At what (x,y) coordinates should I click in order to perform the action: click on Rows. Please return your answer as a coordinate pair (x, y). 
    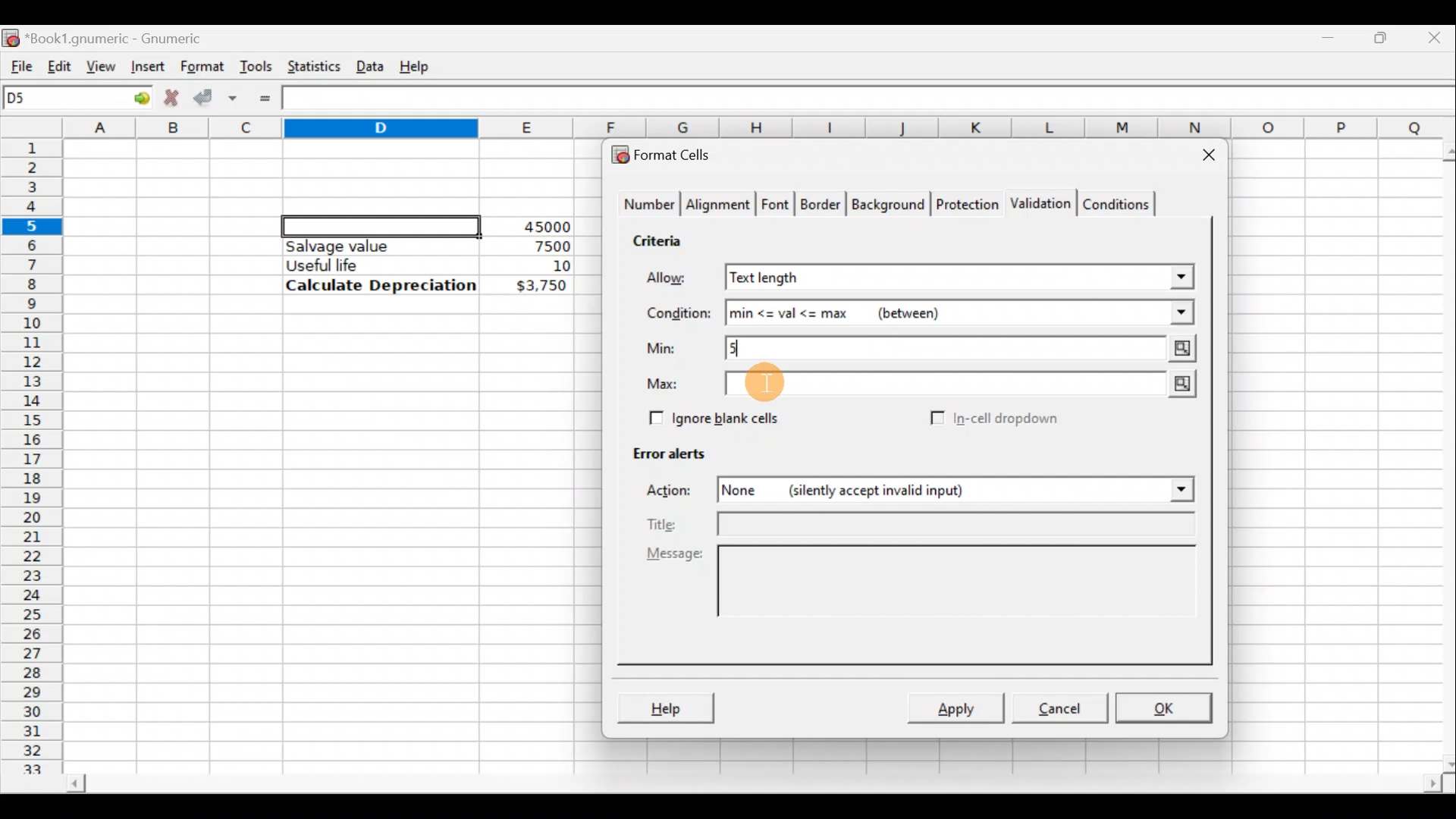
    Looking at the image, I should click on (33, 448).